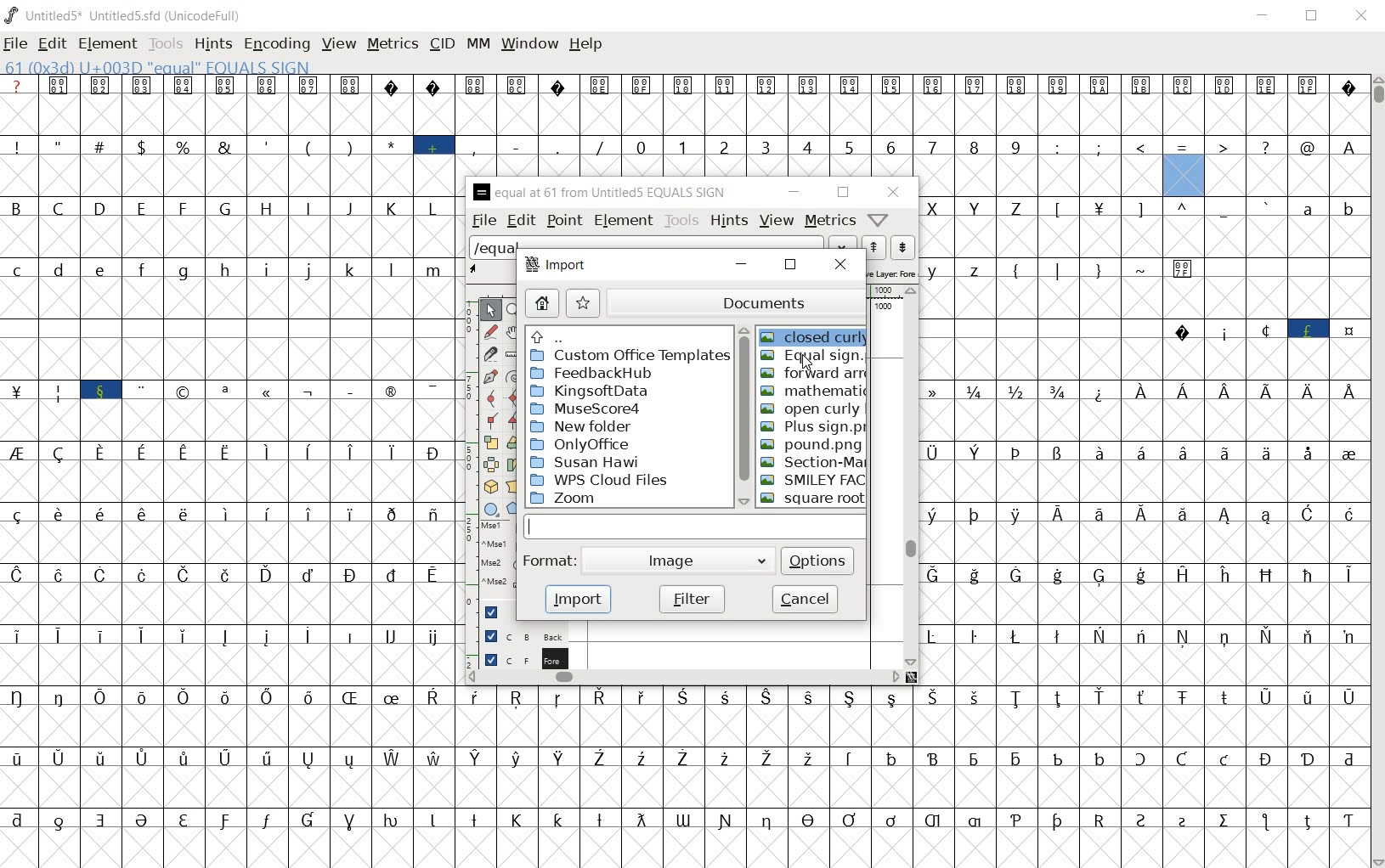 This screenshot has height=868, width=1385. Describe the element at coordinates (814, 461) in the screenshot. I see `SECTION MARK` at that location.